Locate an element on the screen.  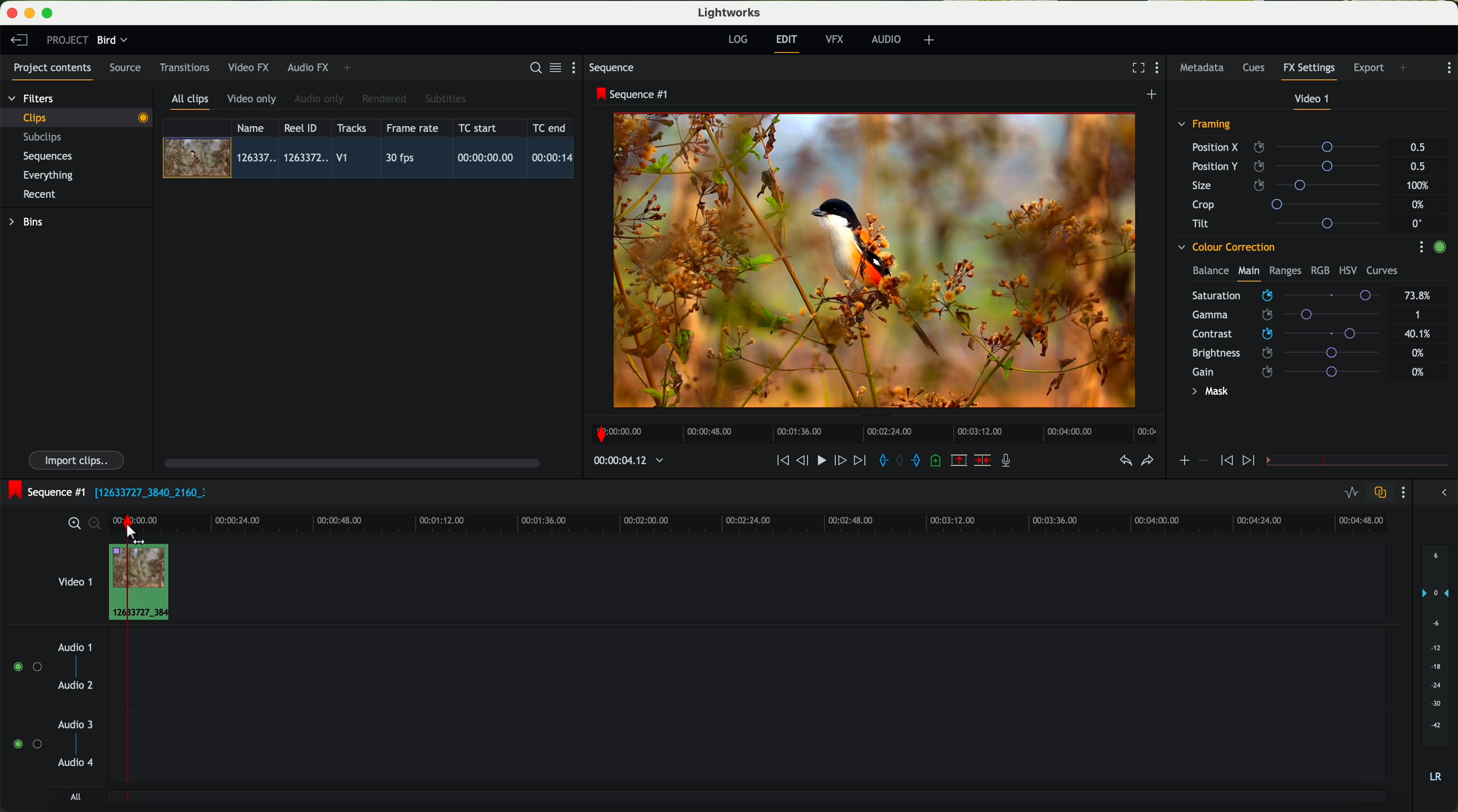
edit is located at coordinates (788, 42).